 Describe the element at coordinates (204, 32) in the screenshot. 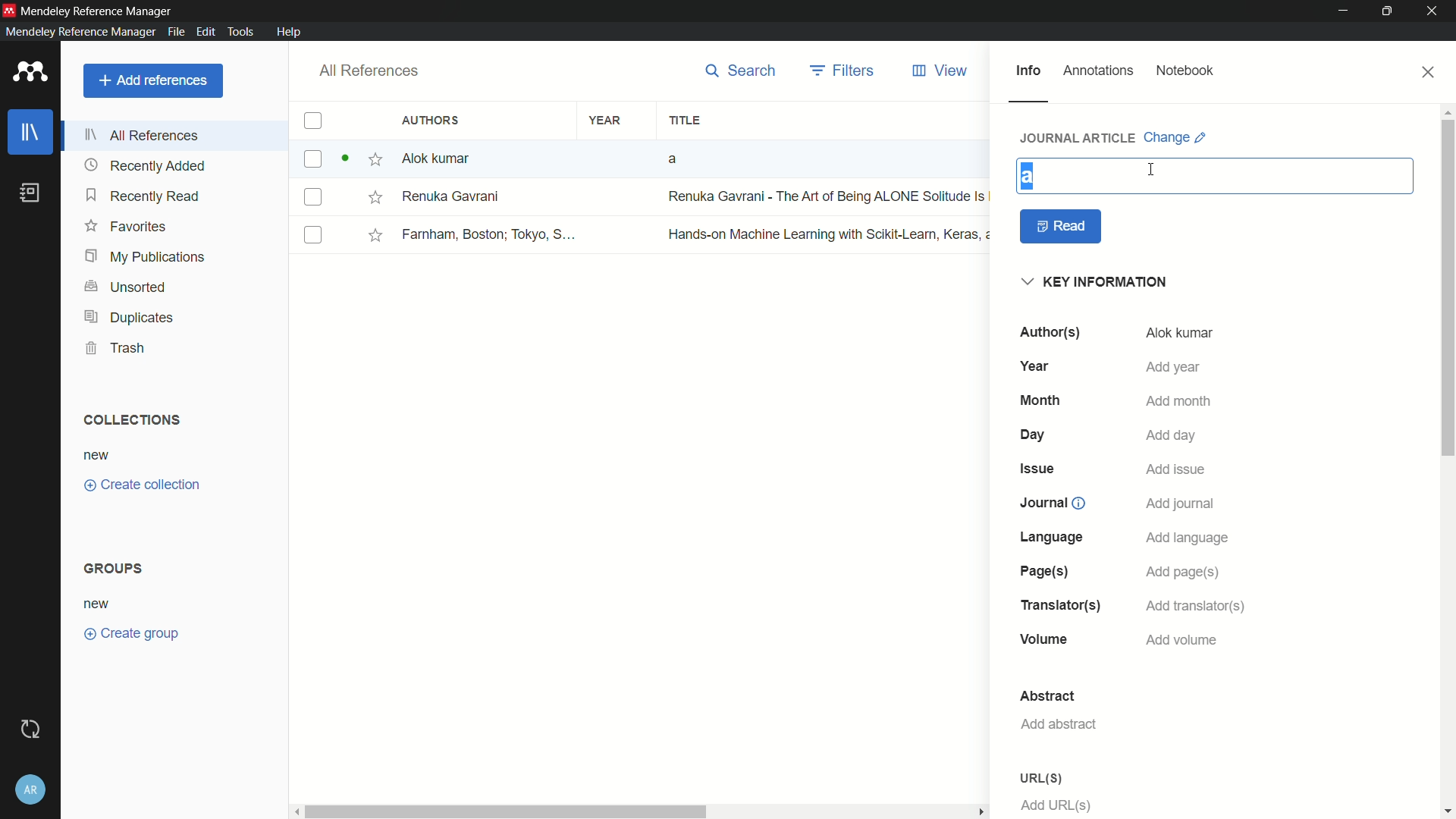

I see `edit menu` at that location.